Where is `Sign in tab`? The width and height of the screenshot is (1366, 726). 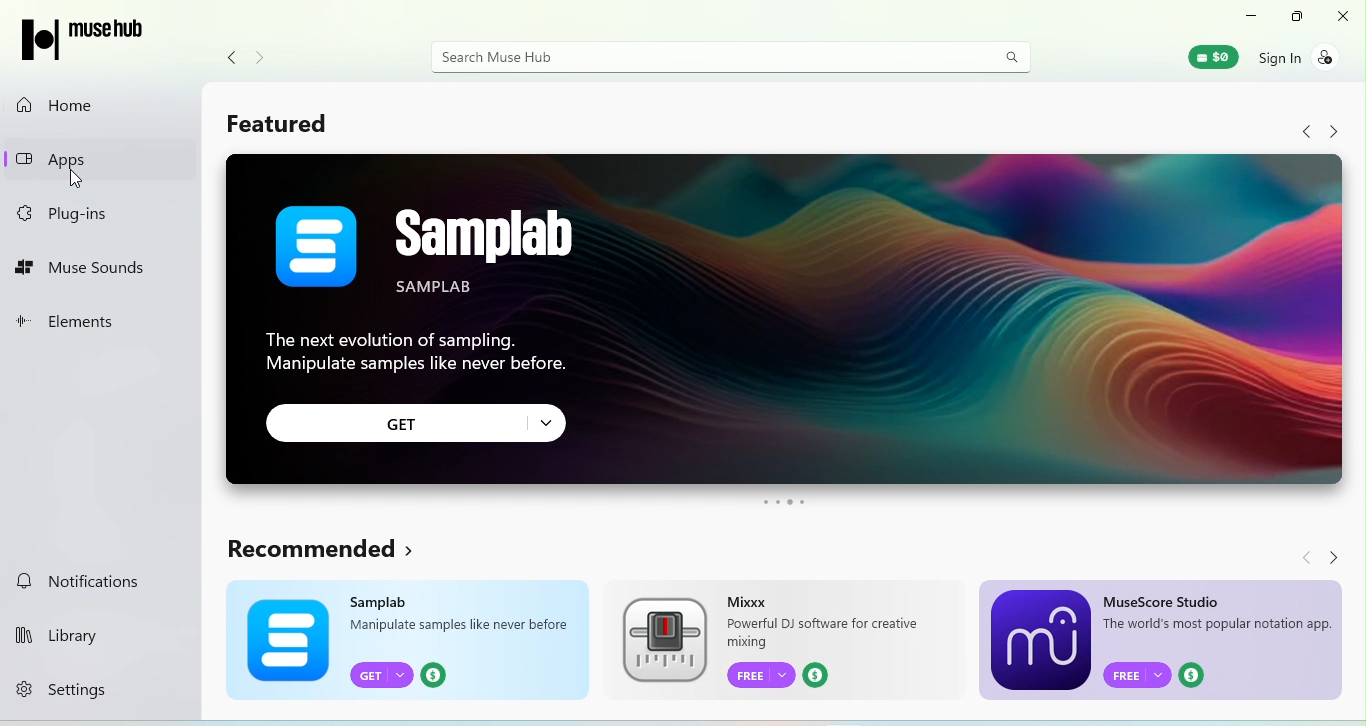 Sign in tab is located at coordinates (1300, 58).